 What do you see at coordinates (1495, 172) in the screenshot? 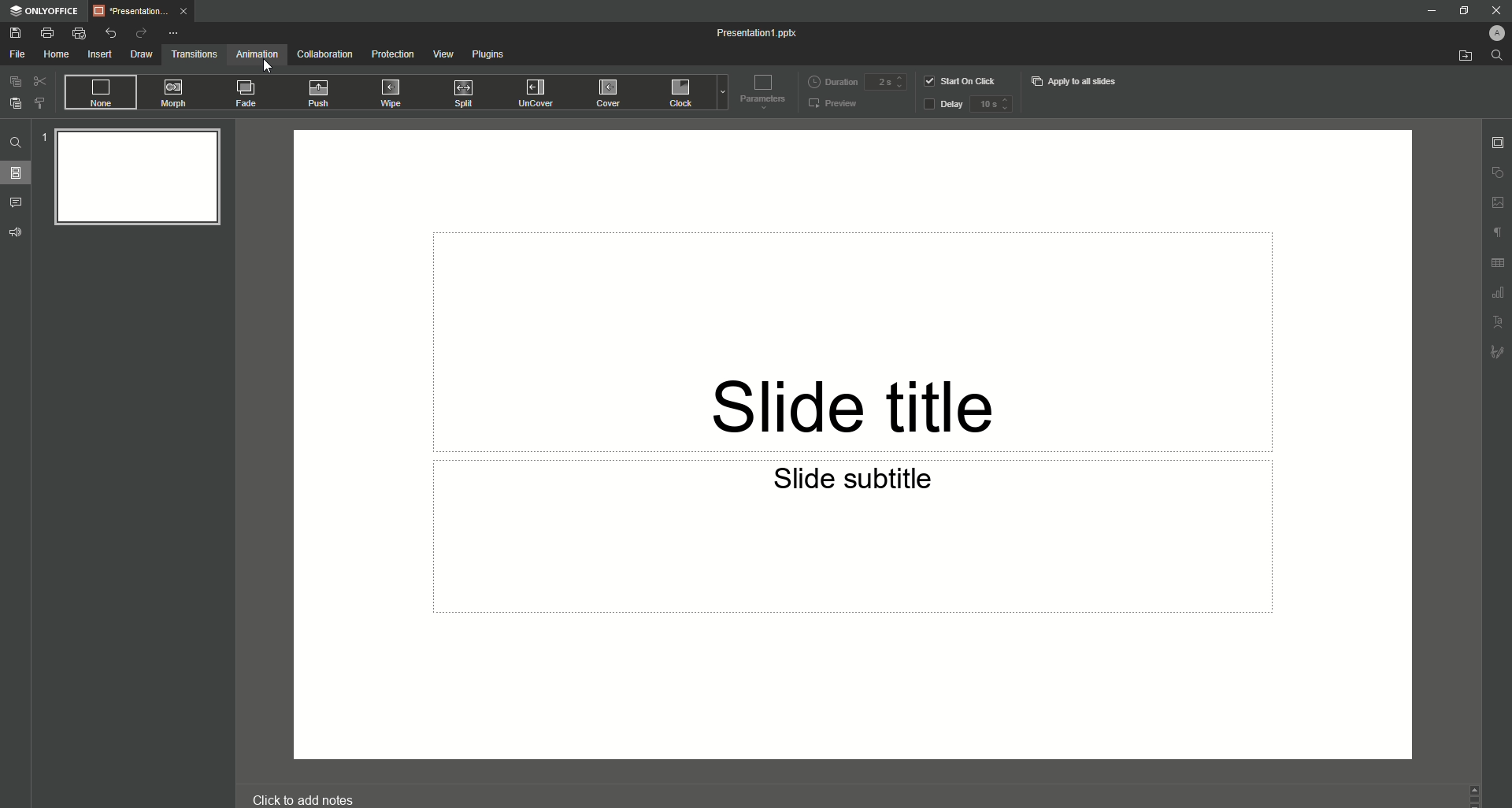
I see `Shape Settings` at bounding box center [1495, 172].